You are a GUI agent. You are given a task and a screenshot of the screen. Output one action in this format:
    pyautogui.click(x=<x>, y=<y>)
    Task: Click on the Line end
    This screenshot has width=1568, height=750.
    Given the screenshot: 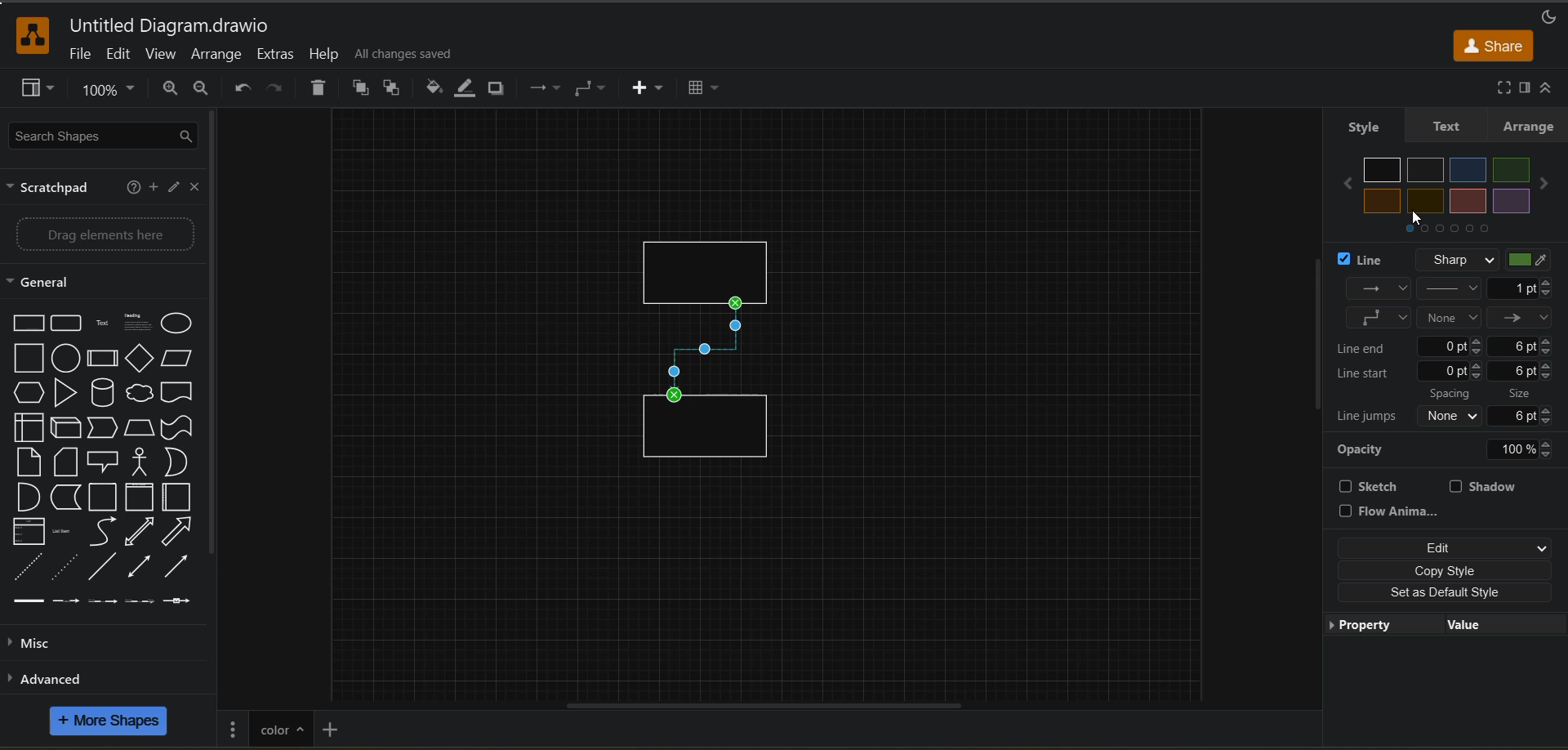 What is the action you would take?
    pyautogui.click(x=1370, y=346)
    